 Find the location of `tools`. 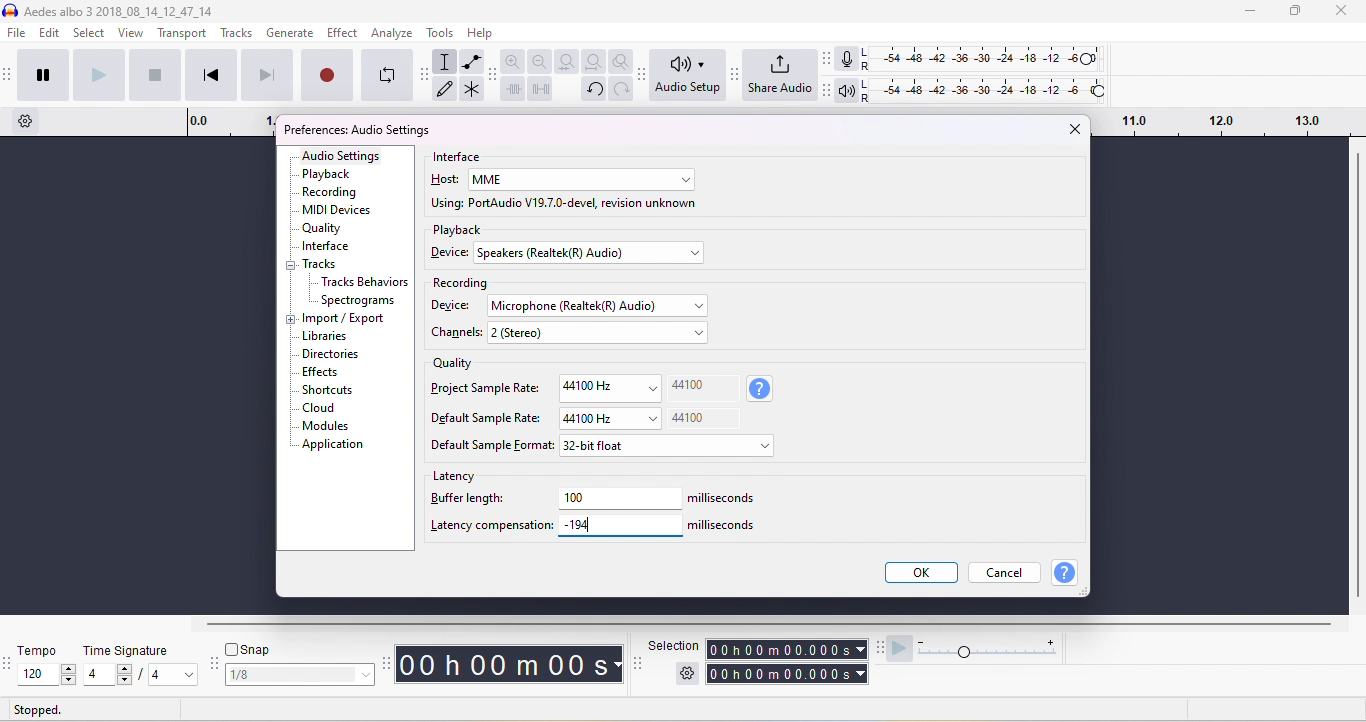

tools is located at coordinates (441, 32).